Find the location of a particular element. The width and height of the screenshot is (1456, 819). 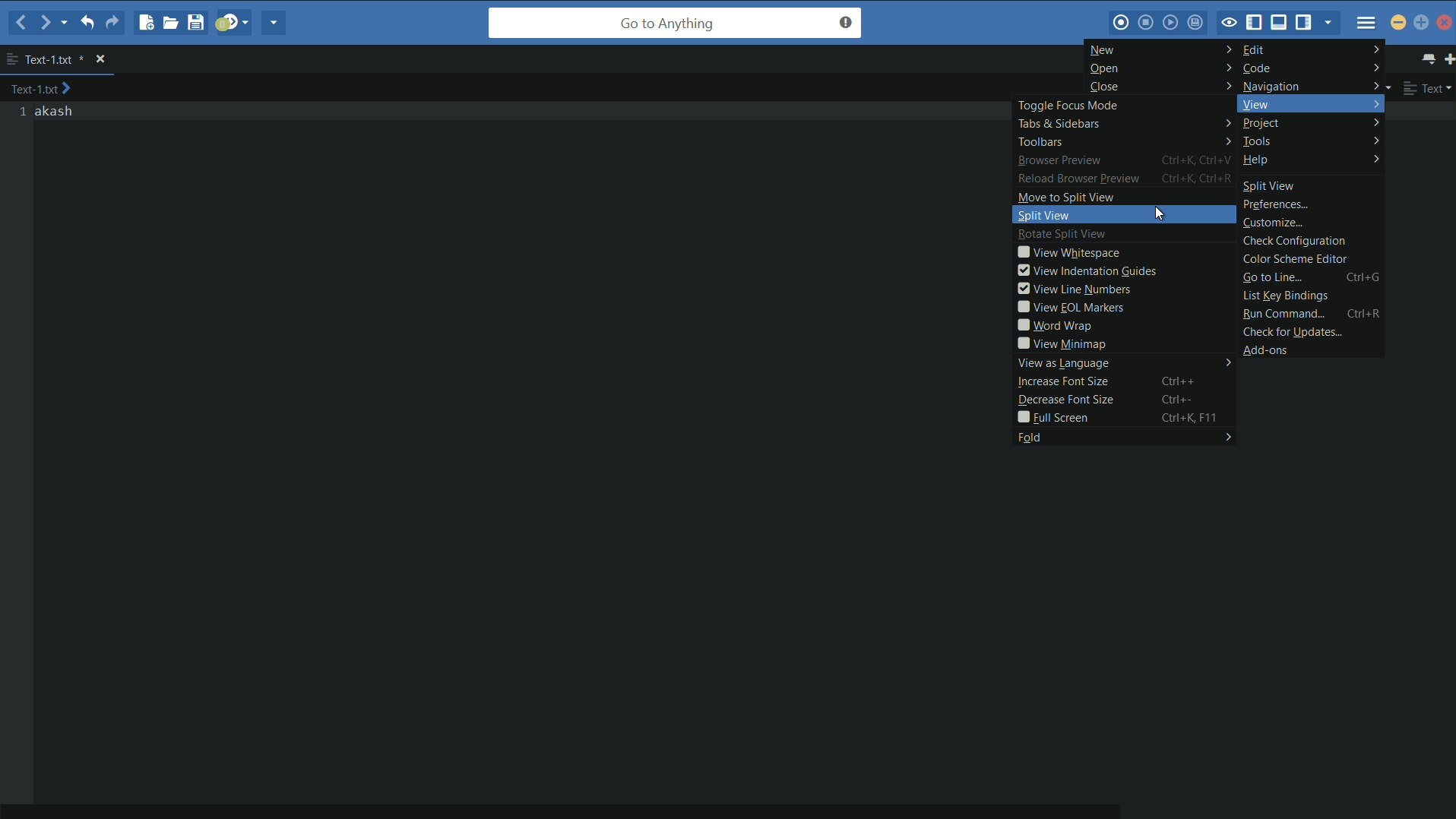

browser preview is located at coordinates (1123, 160).